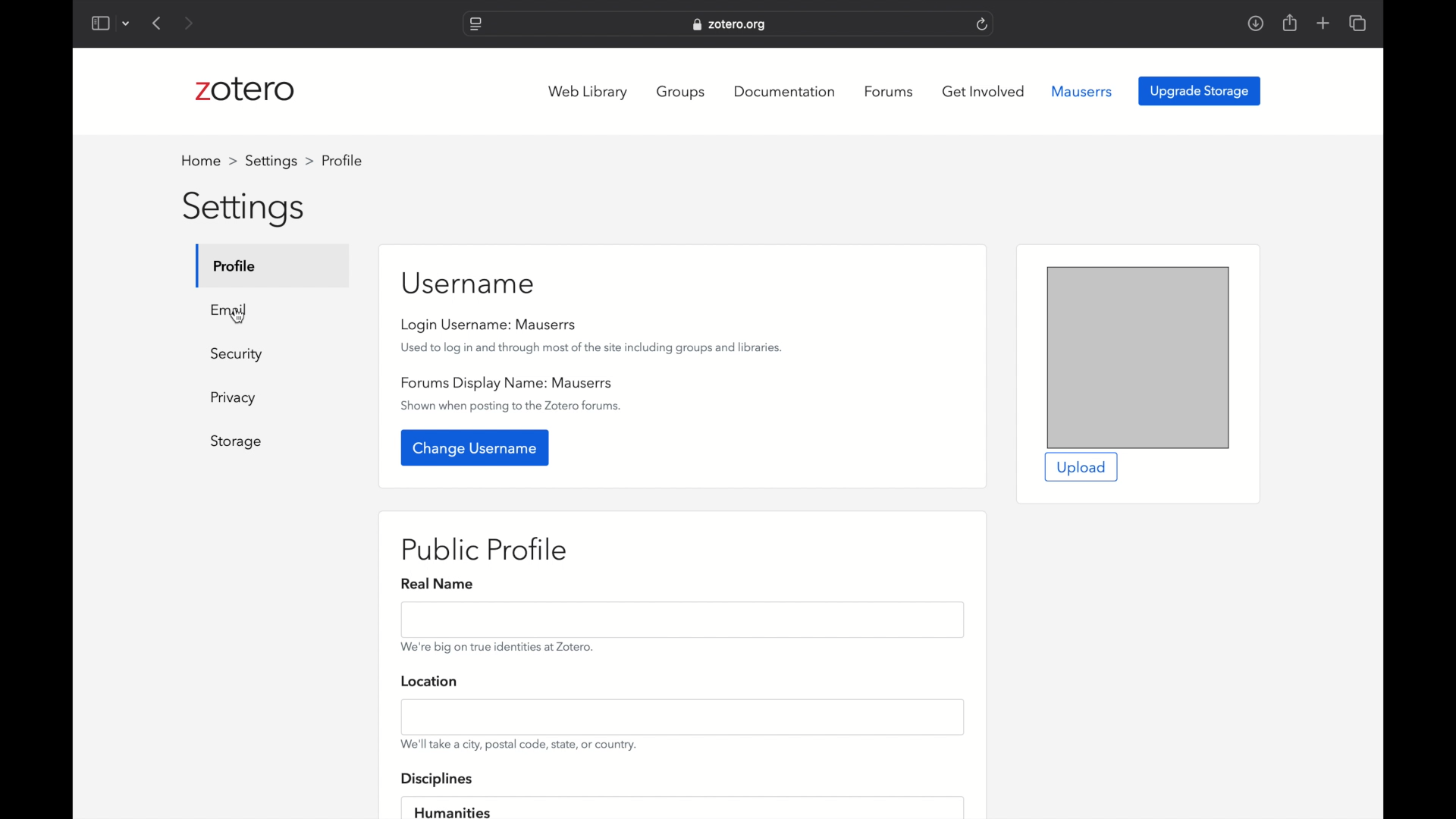 The height and width of the screenshot is (819, 1456). I want to click on new tab, so click(1323, 23).